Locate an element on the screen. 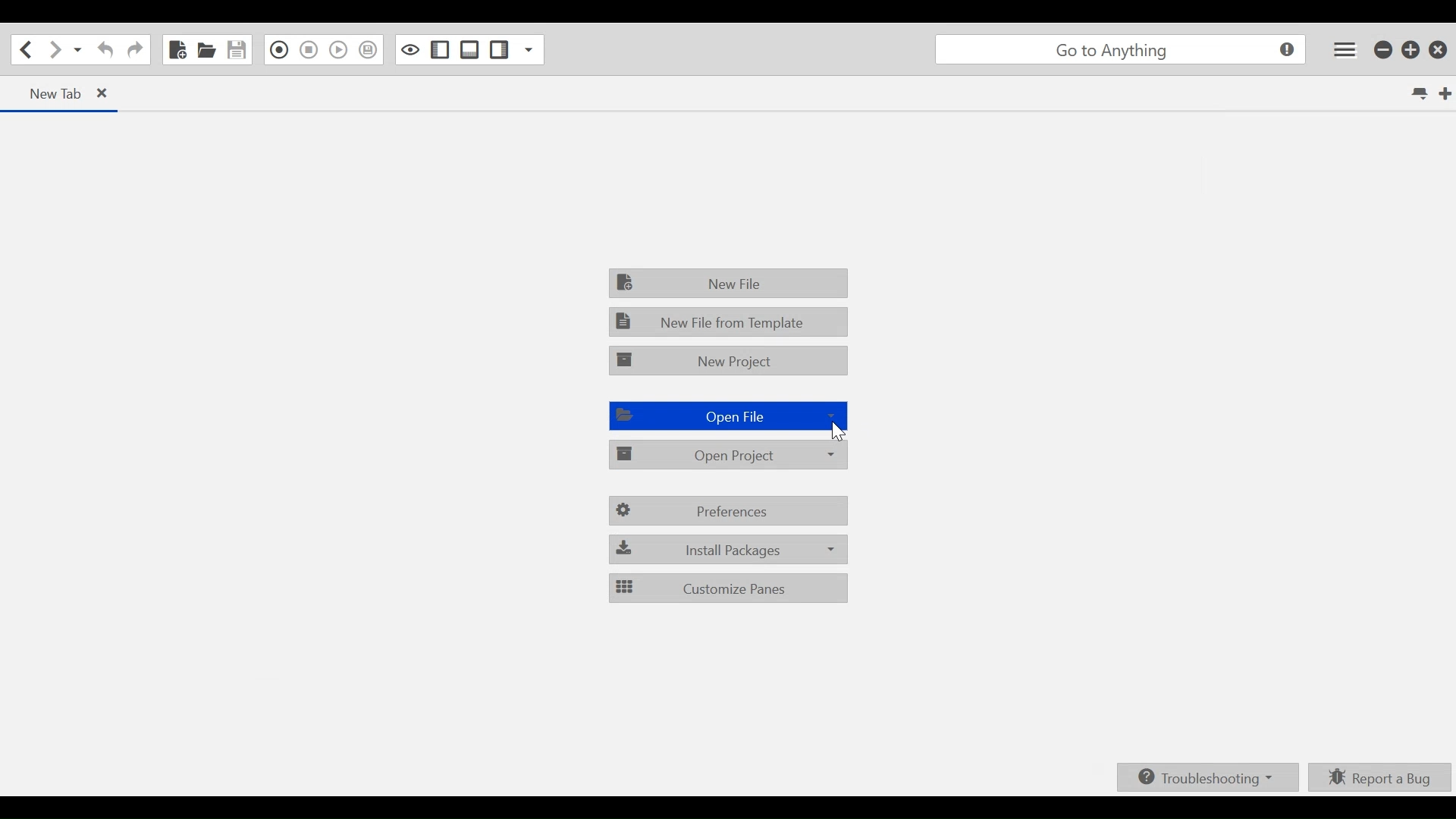  Troubleshooting is located at coordinates (1210, 777).